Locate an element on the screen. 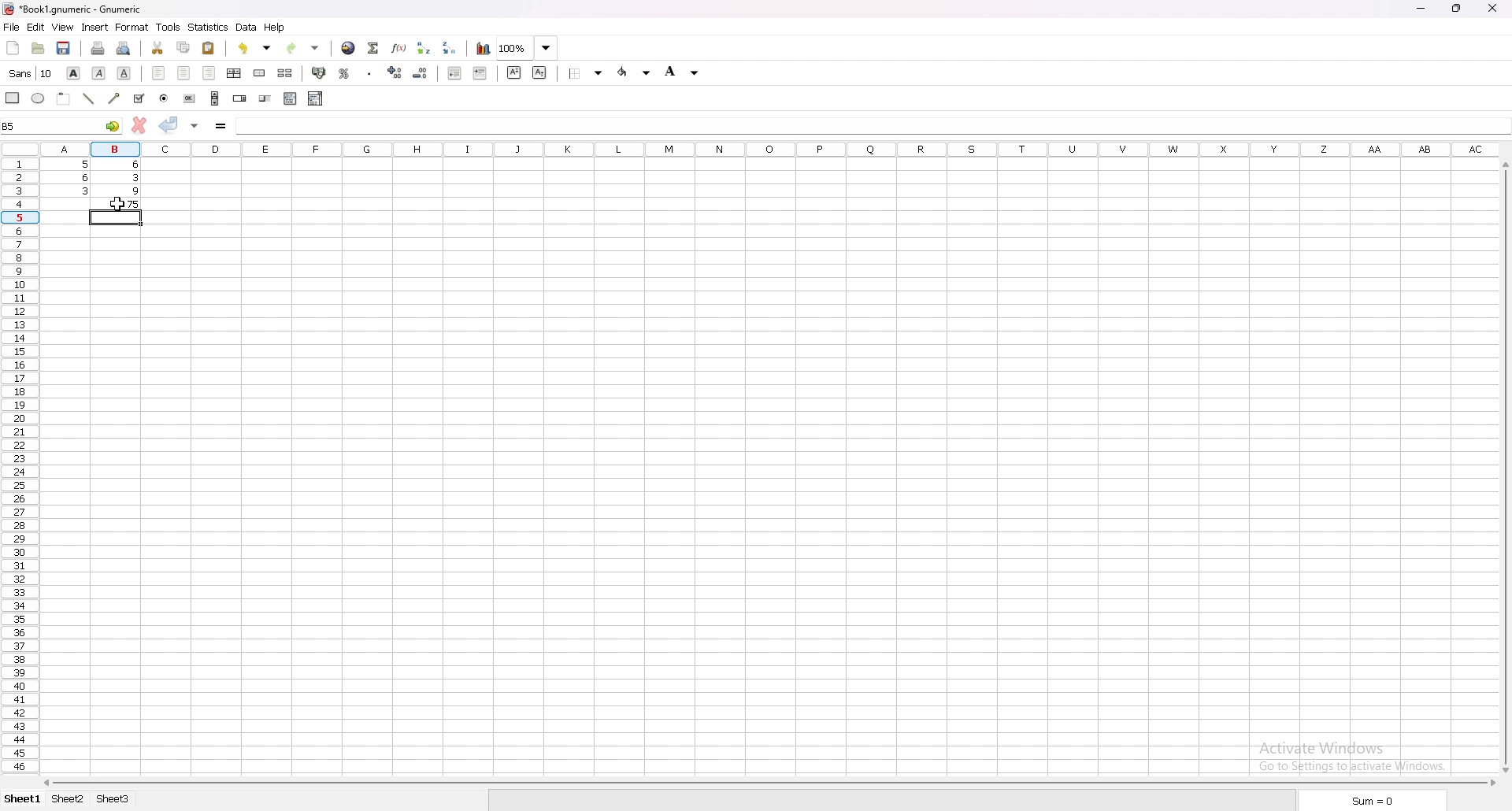 This screenshot has height=811, width=1512. print preview is located at coordinates (124, 47).